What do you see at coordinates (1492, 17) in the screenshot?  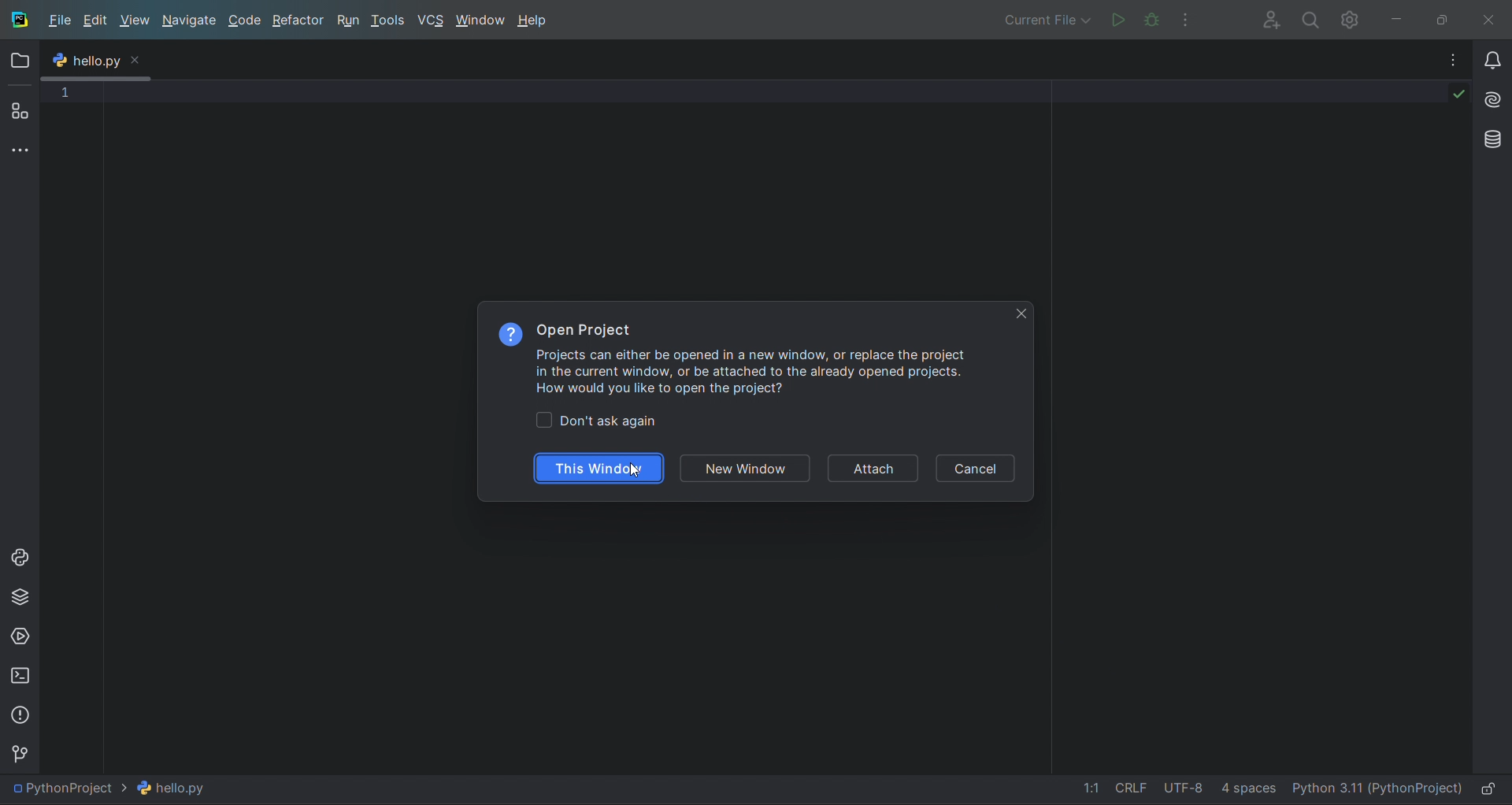 I see `close` at bounding box center [1492, 17].